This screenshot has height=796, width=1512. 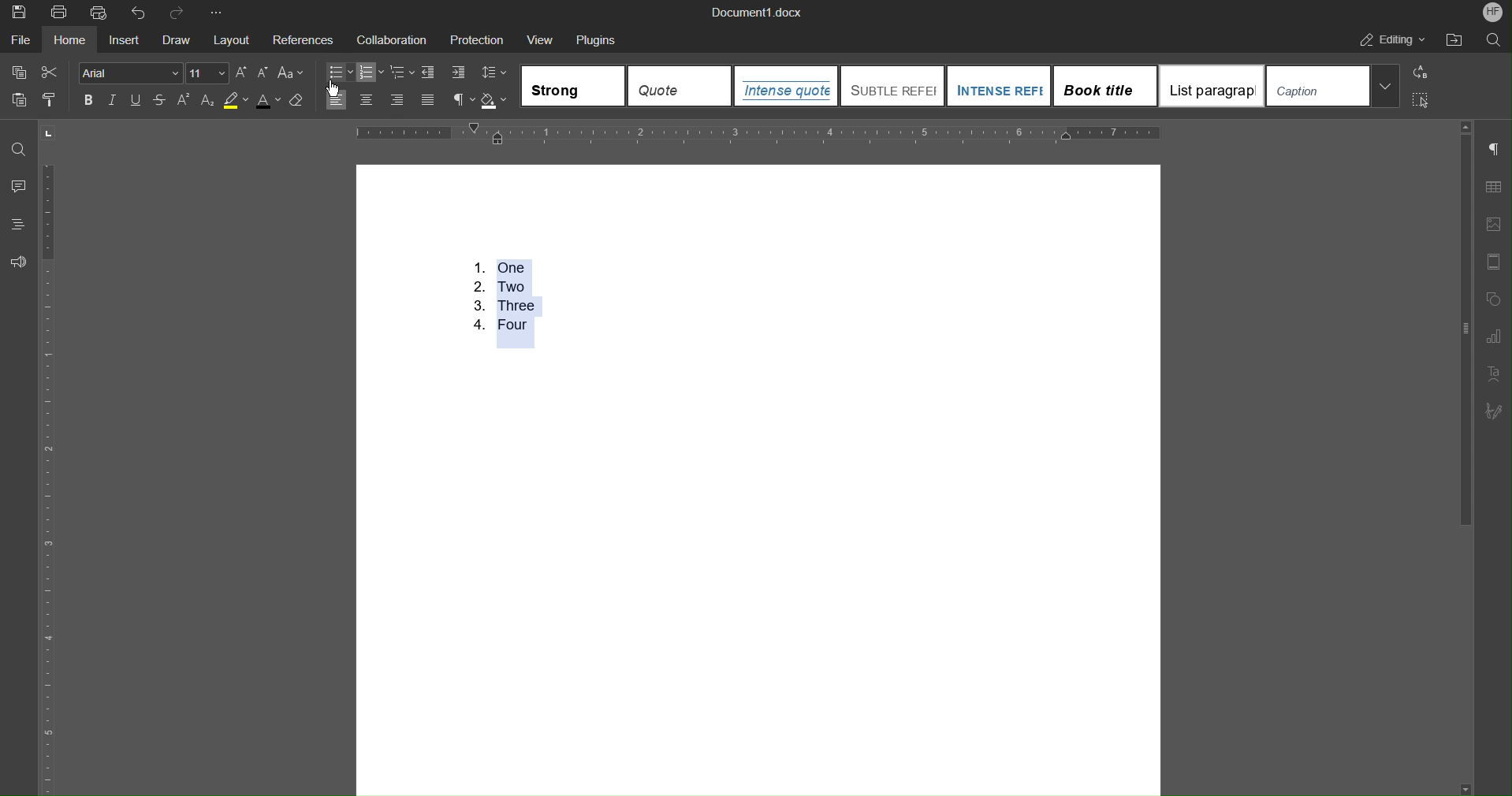 What do you see at coordinates (389, 38) in the screenshot?
I see `Collaboration` at bounding box center [389, 38].